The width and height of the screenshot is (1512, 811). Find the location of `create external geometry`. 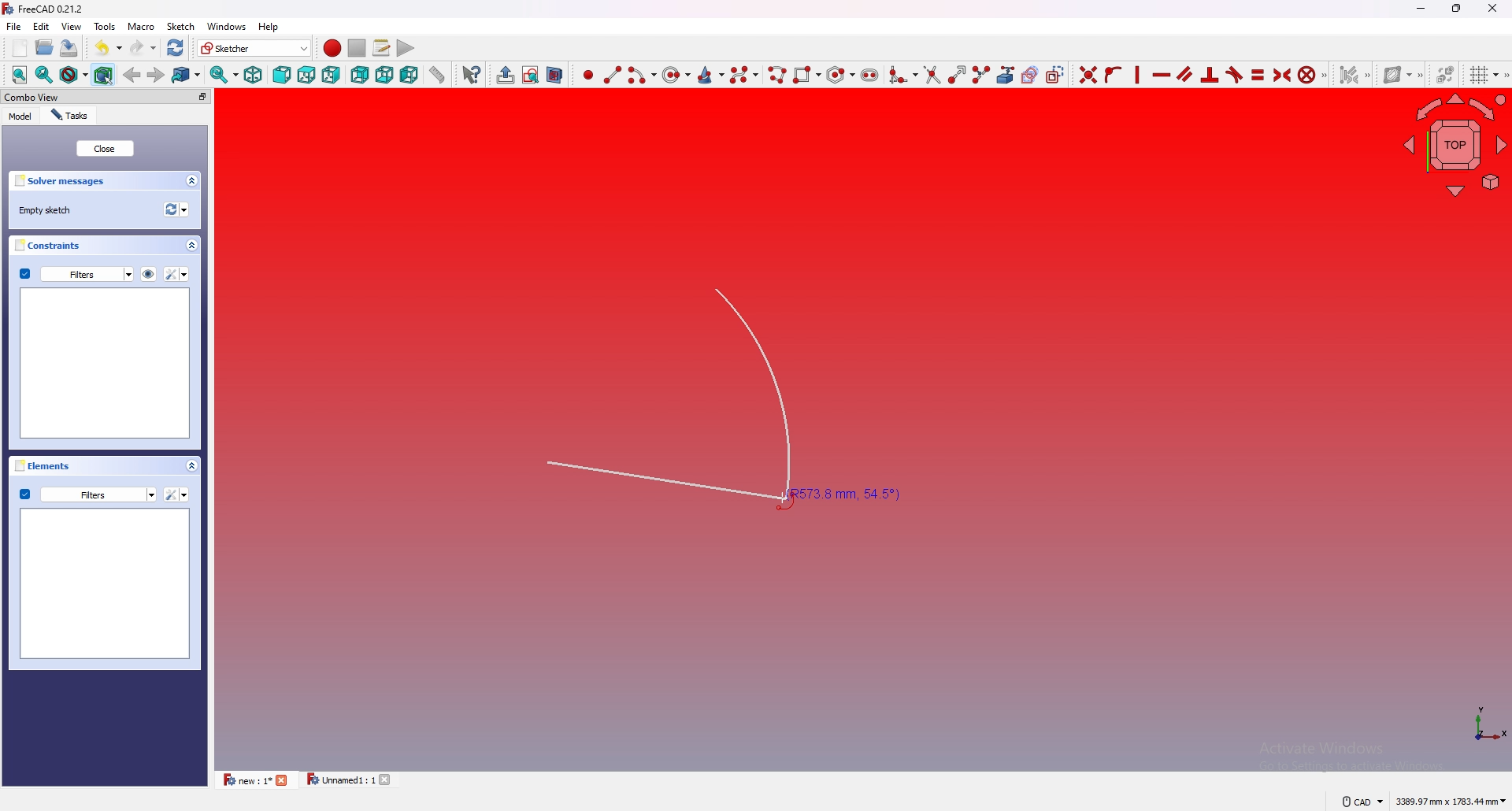

create external geometry is located at coordinates (1006, 75).